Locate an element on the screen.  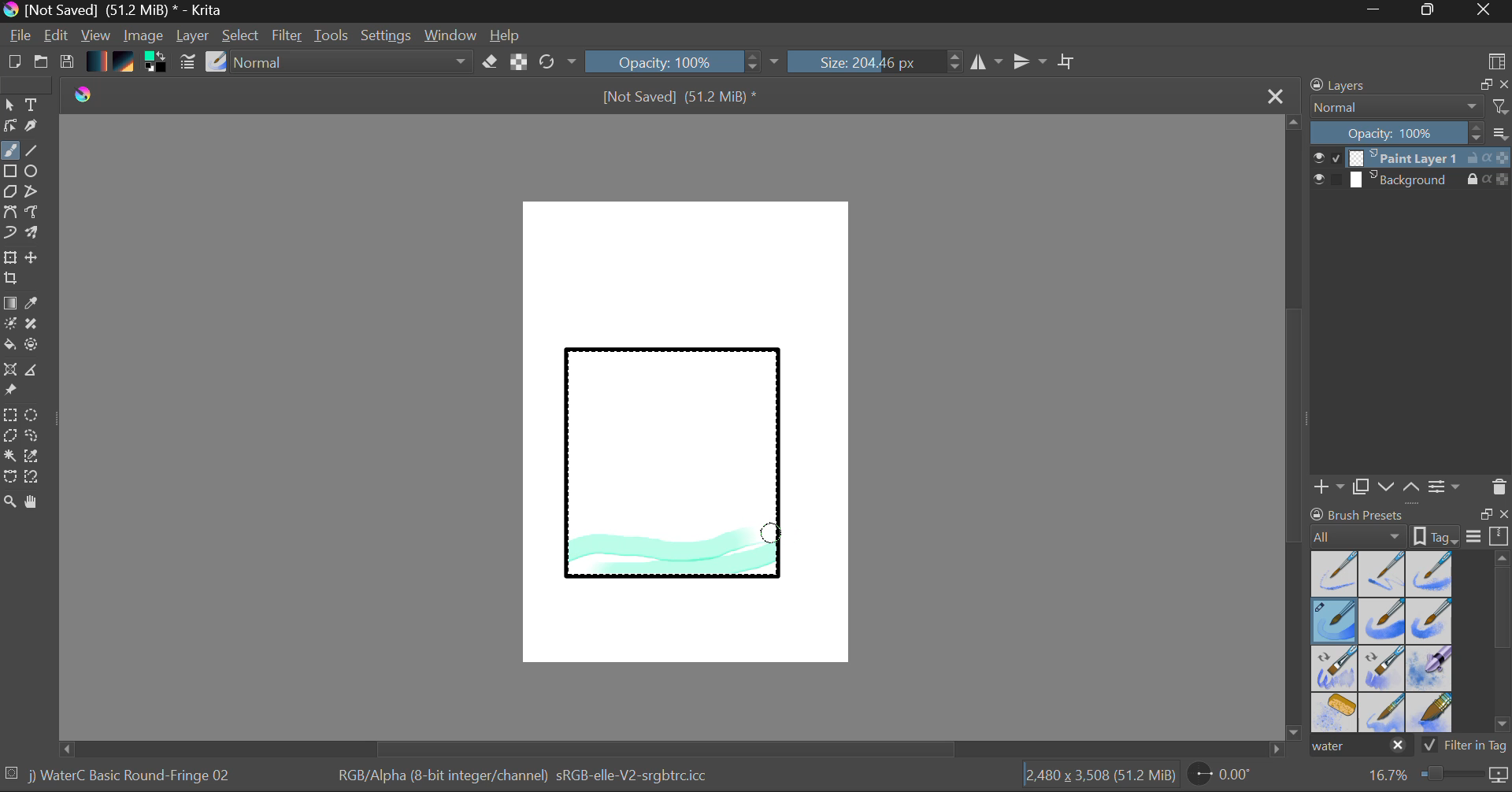
"water" search in brush presets is located at coordinates (1359, 749).